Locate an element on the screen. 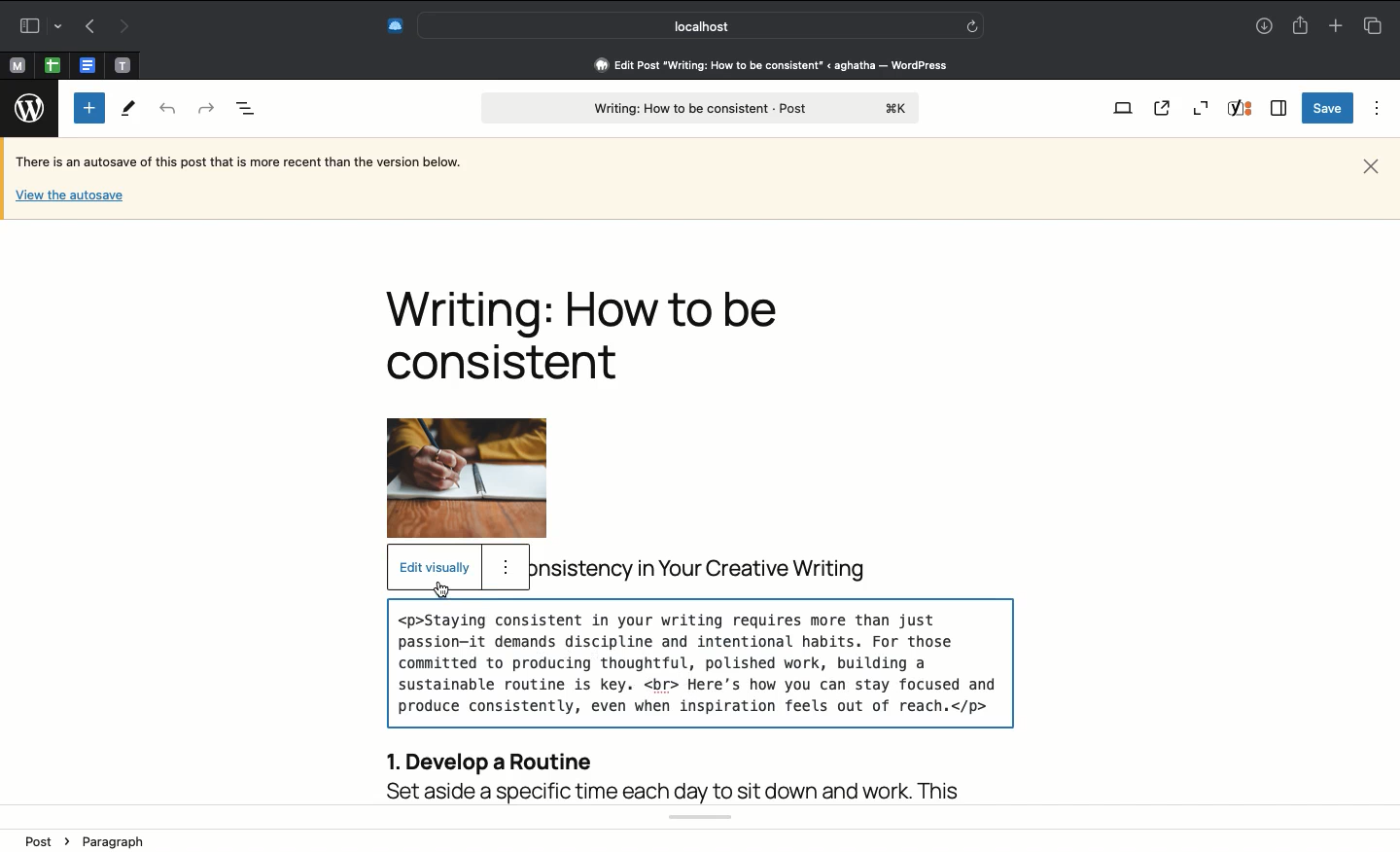  Extensions is located at coordinates (394, 23).